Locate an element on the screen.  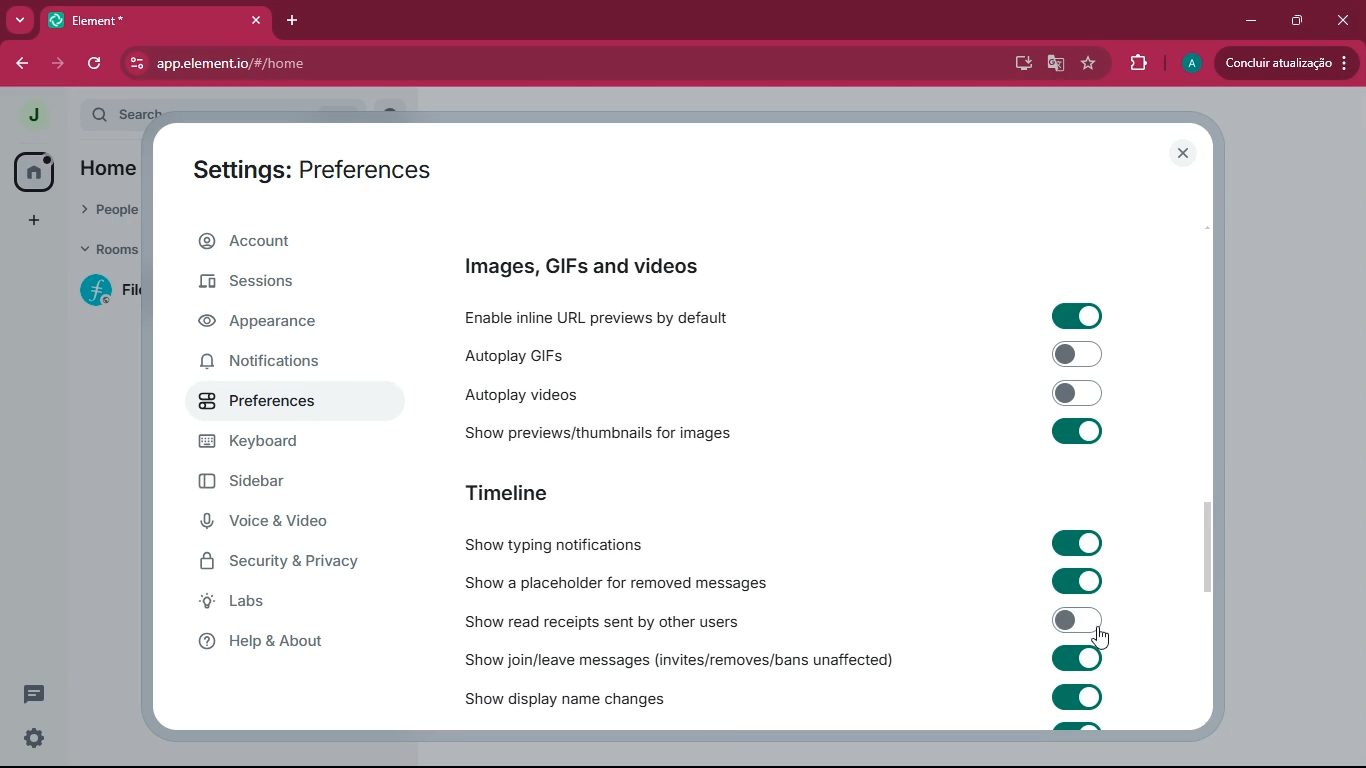
sidebar is located at coordinates (286, 485).